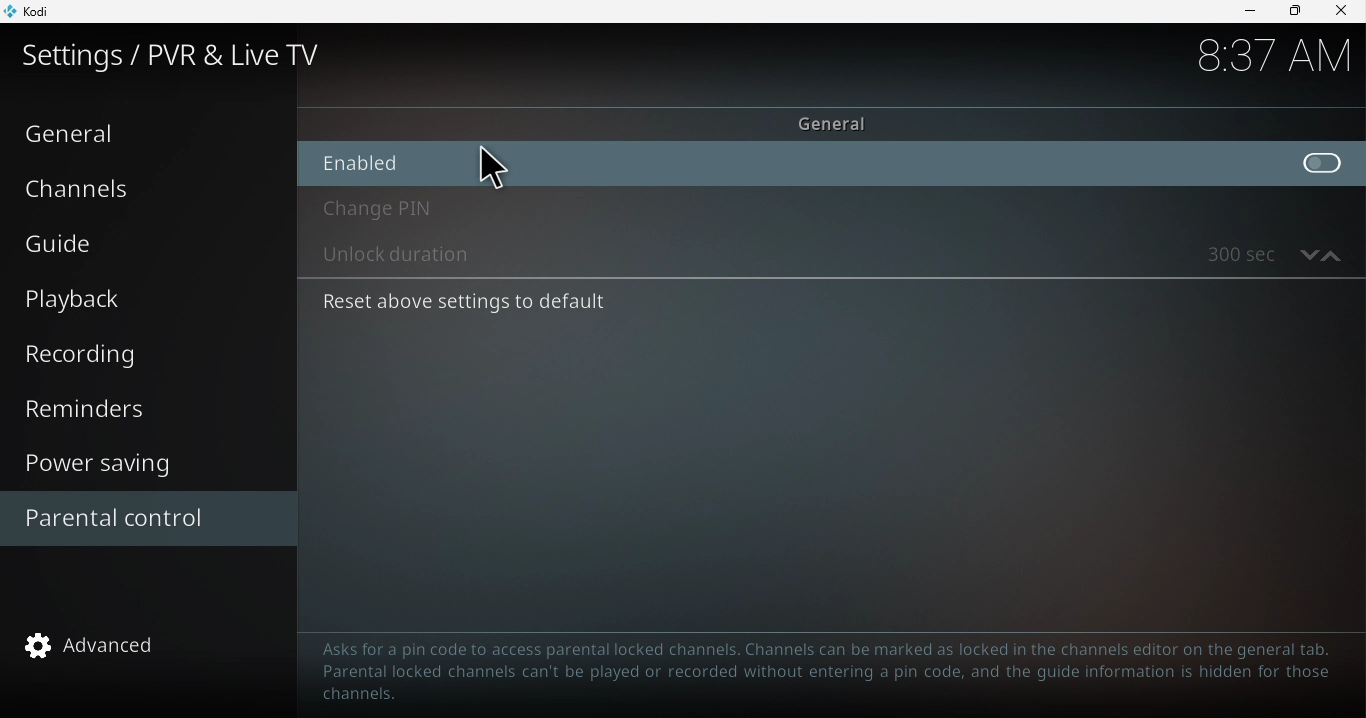 The width and height of the screenshot is (1366, 718). What do you see at coordinates (1306, 253) in the screenshot?
I see `decrease` at bounding box center [1306, 253].